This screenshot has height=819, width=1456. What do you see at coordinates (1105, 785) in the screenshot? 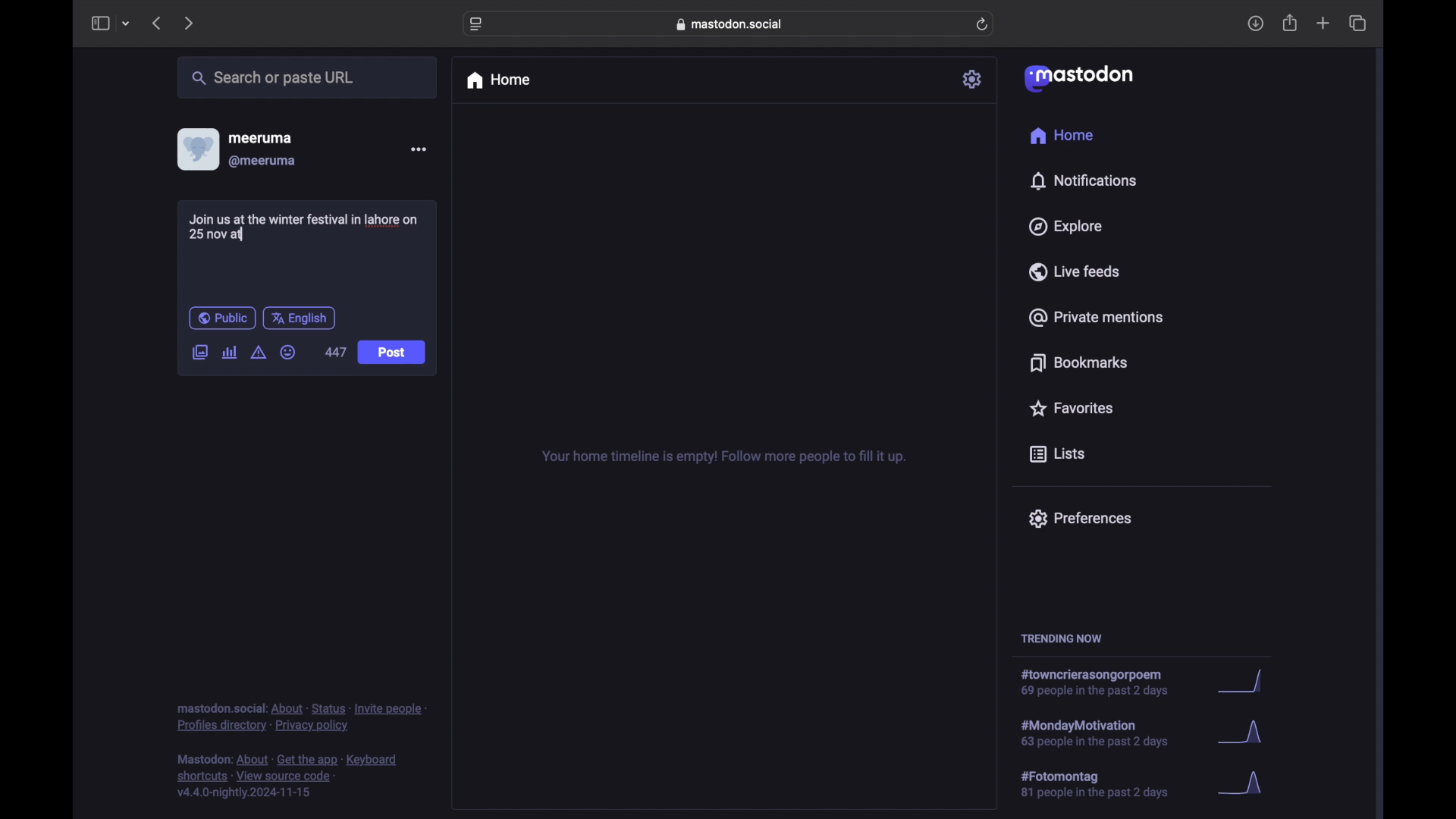
I see `hashtag trend` at bounding box center [1105, 785].